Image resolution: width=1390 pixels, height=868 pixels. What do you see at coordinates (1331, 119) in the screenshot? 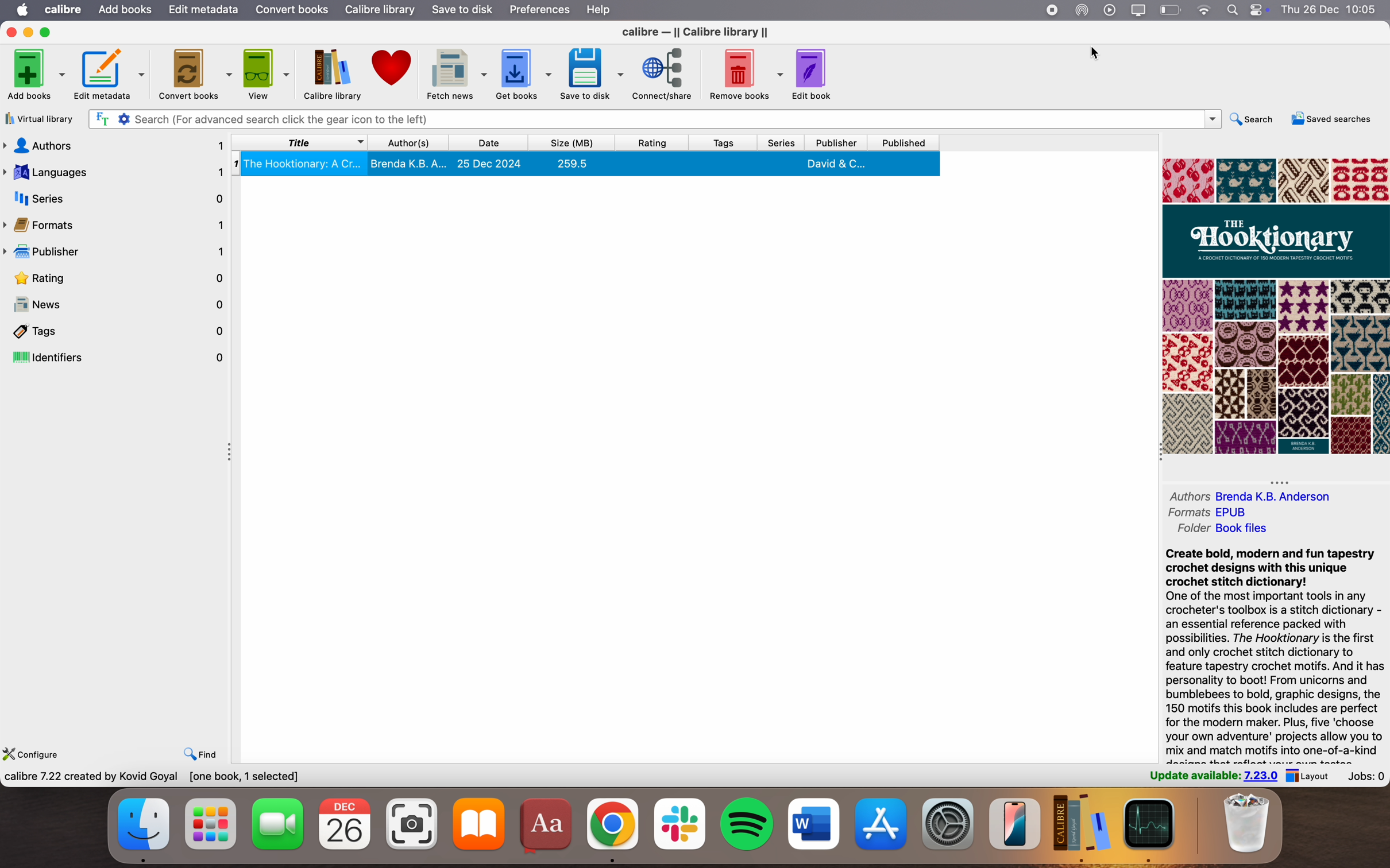
I see `saved searches` at bounding box center [1331, 119].